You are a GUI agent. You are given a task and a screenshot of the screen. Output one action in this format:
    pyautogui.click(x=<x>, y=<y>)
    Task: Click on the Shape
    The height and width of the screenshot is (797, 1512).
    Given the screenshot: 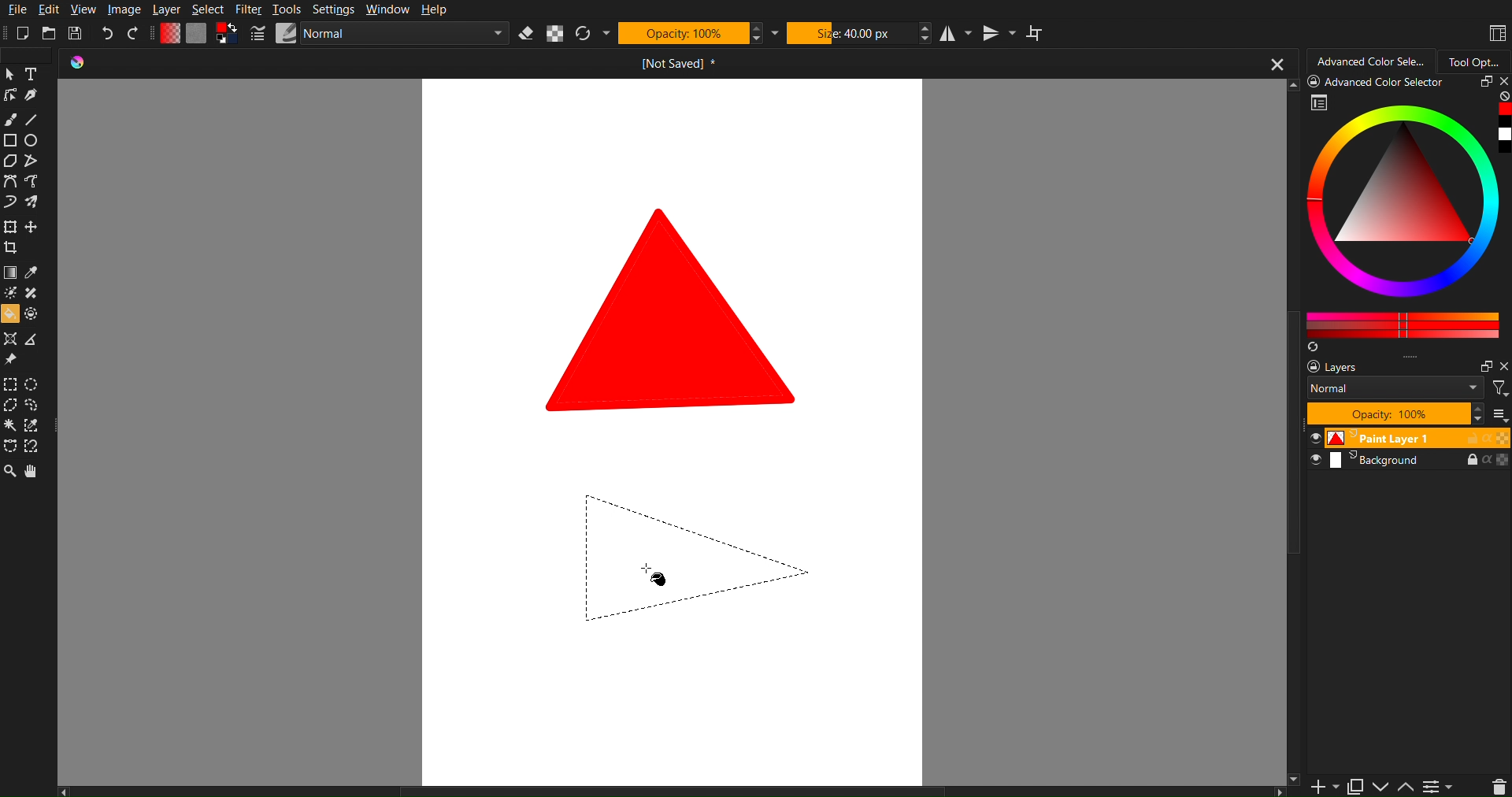 What is the action you would take?
    pyautogui.click(x=675, y=308)
    